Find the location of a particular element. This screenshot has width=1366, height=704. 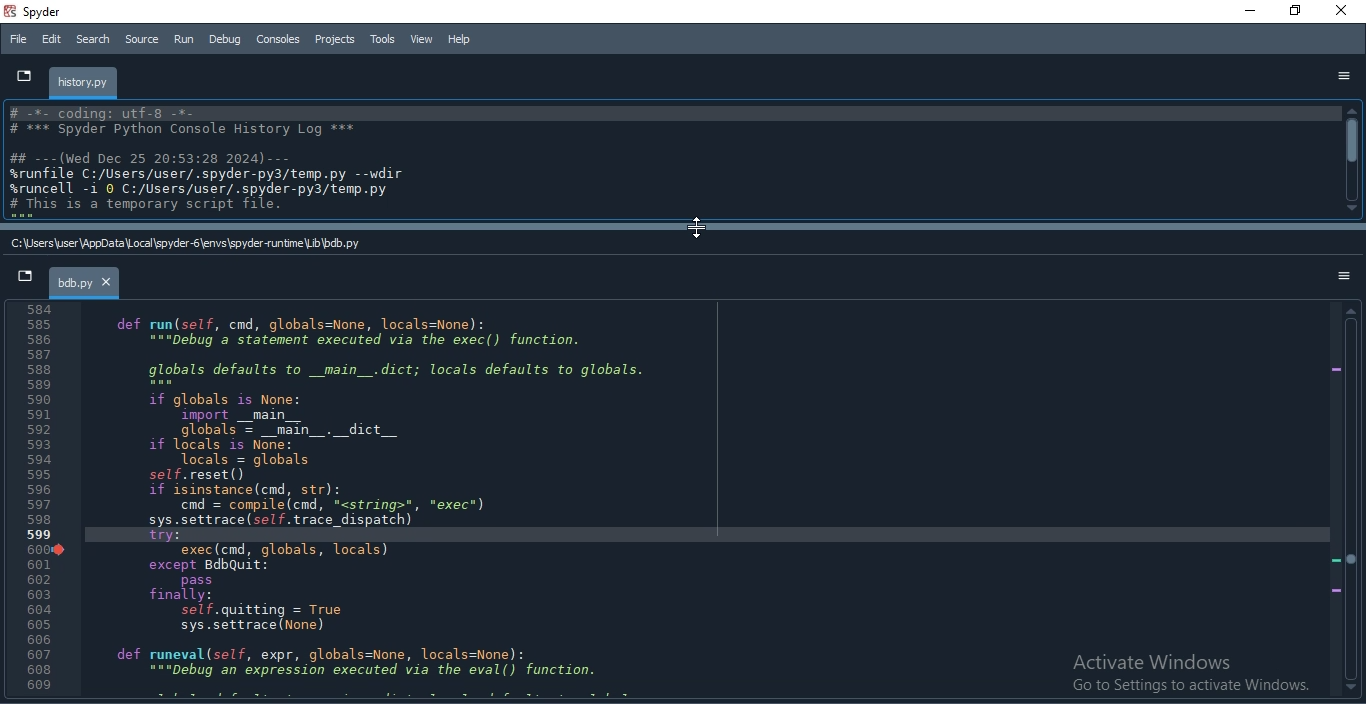

scroll bar is located at coordinates (1351, 503).